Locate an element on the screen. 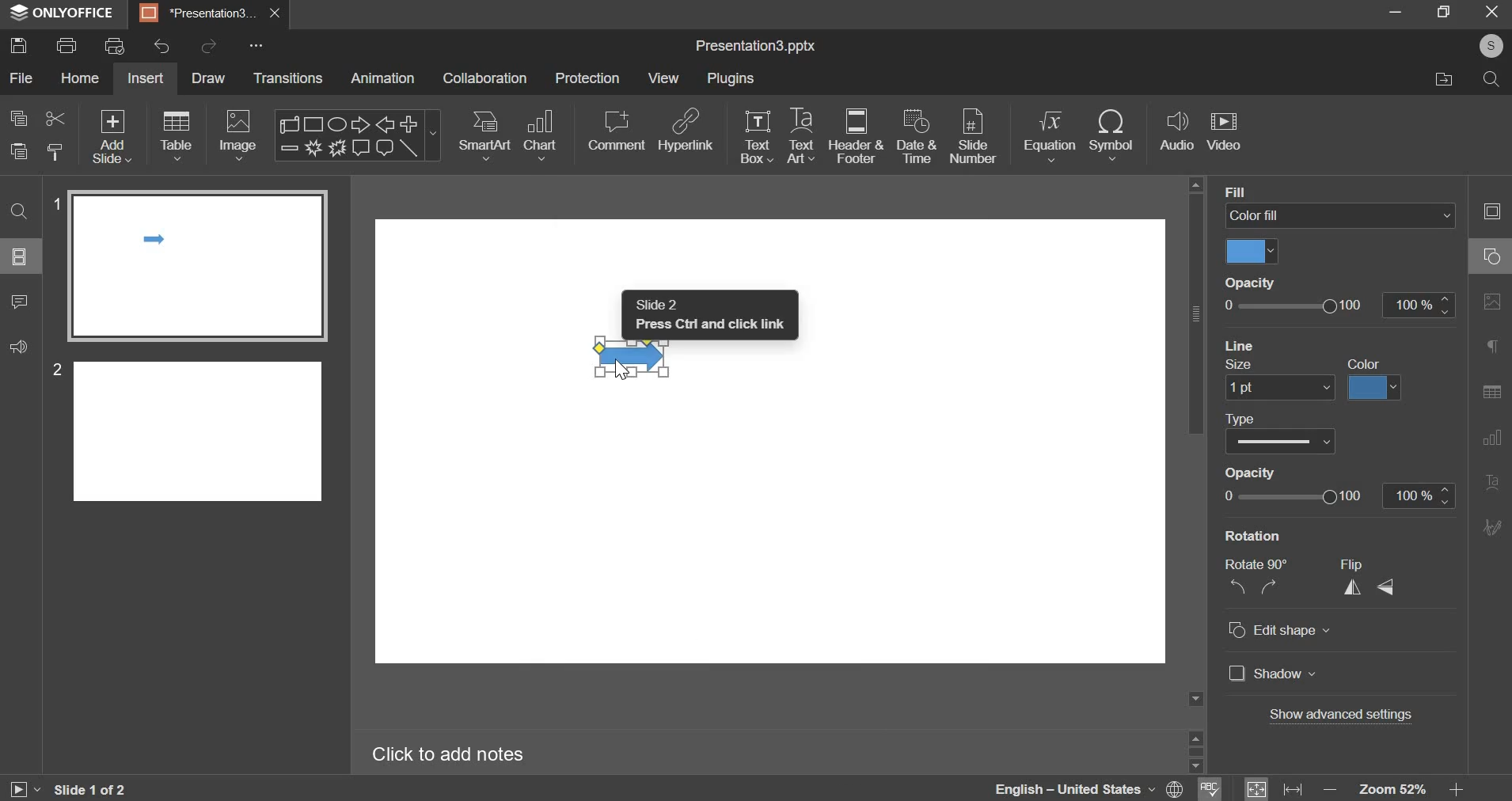 The image size is (1512, 801). fit to width is located at coordinates (1293, 790).